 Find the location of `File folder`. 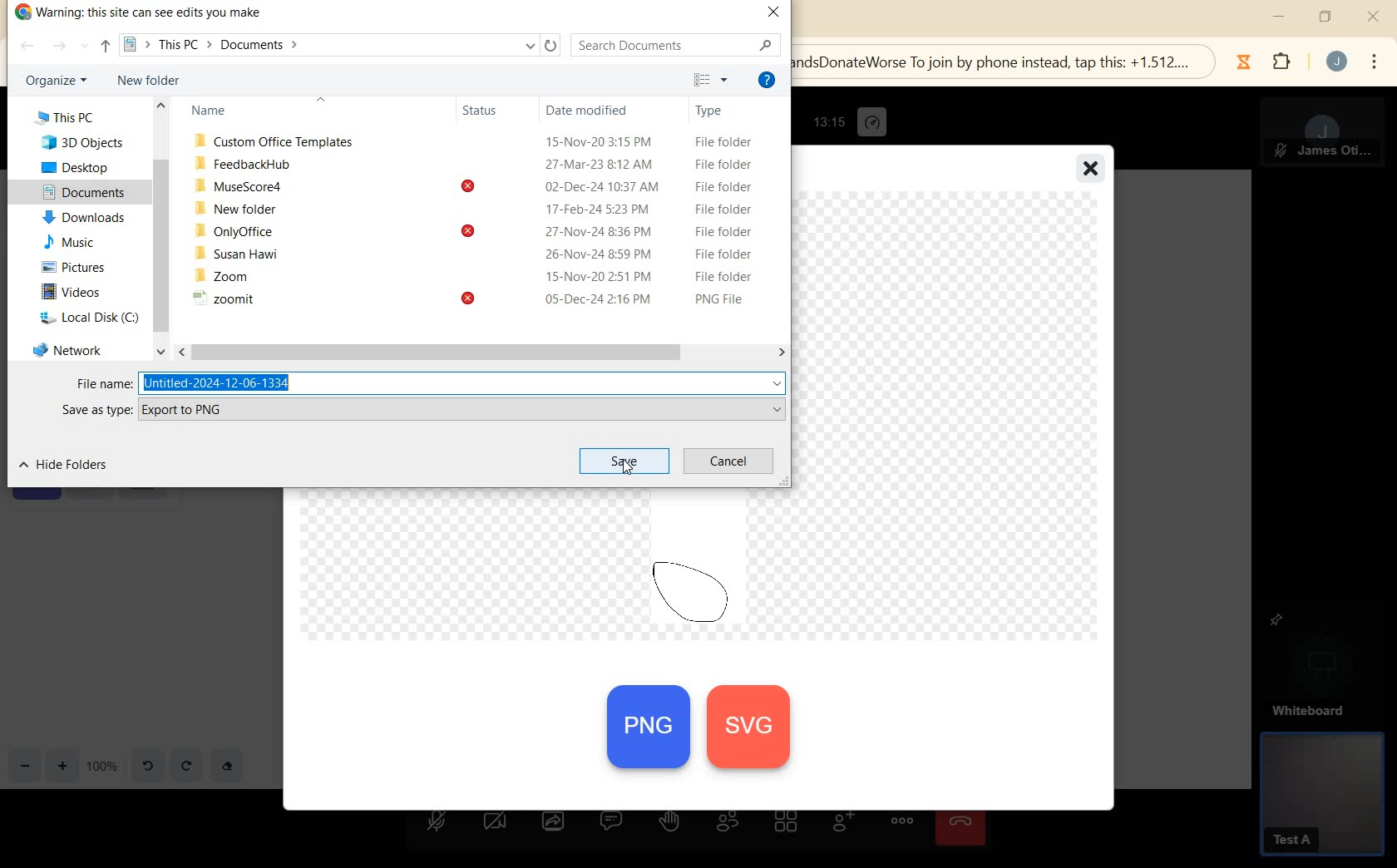

File folder is located at coordinates (723, 253).